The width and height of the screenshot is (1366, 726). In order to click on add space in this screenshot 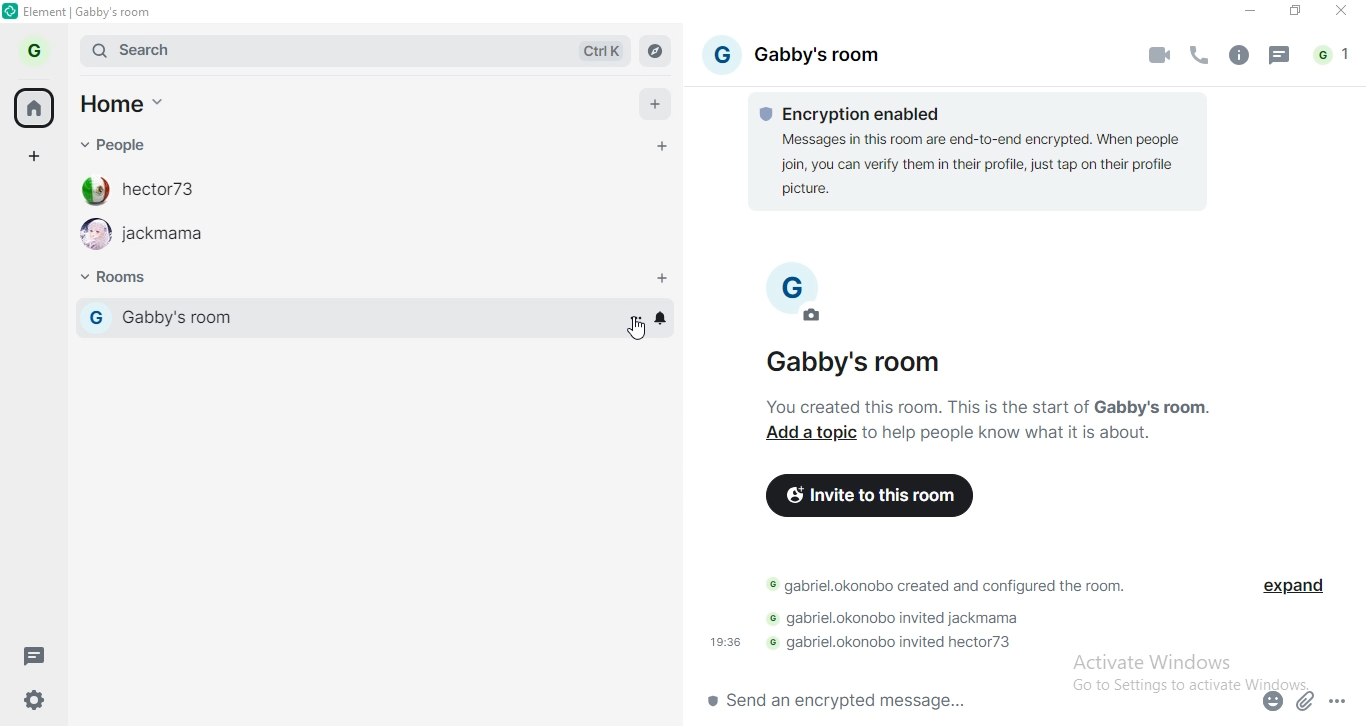, I will do `click(36, 157)`.